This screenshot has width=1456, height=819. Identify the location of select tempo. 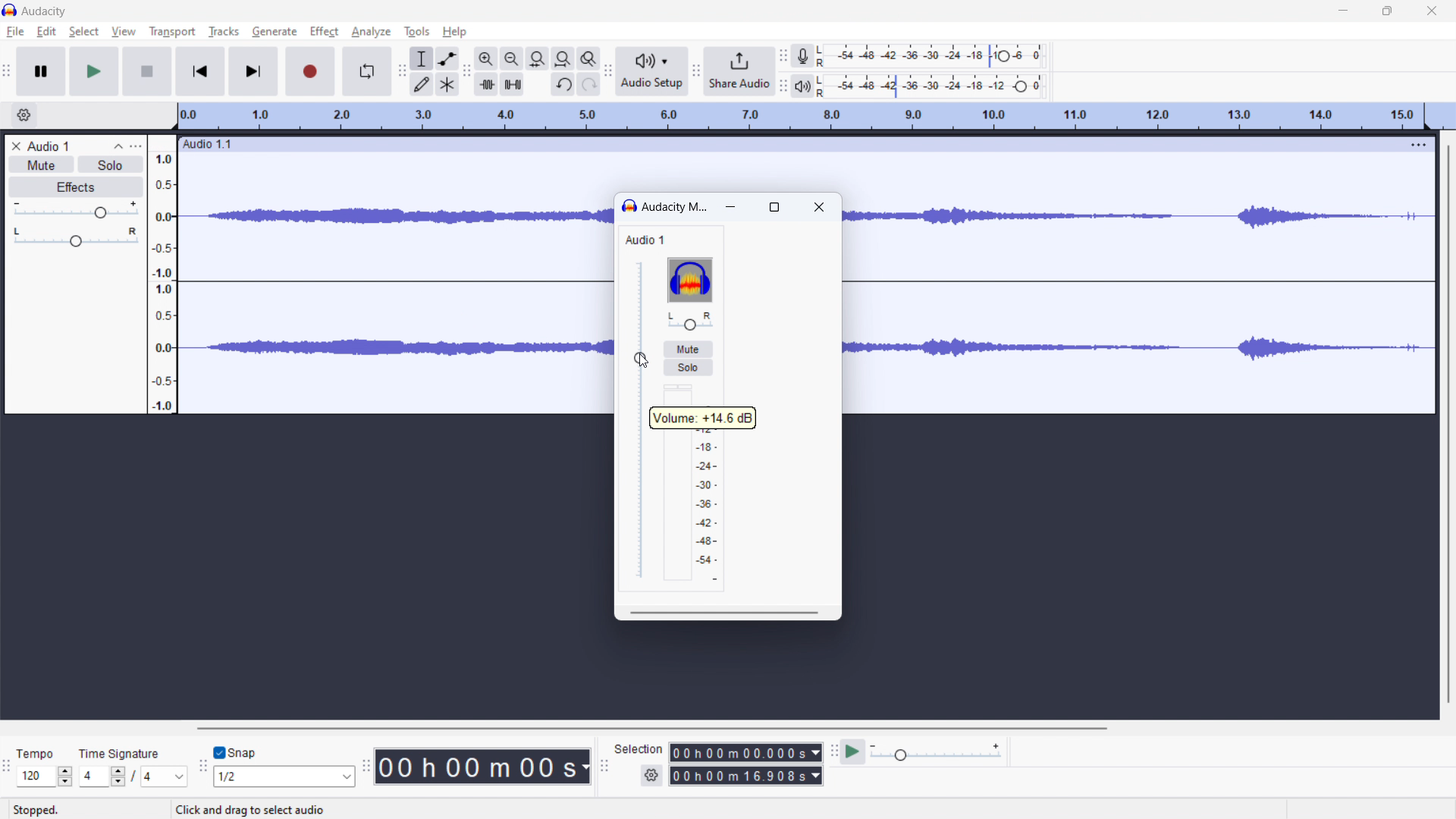
(45, 777).